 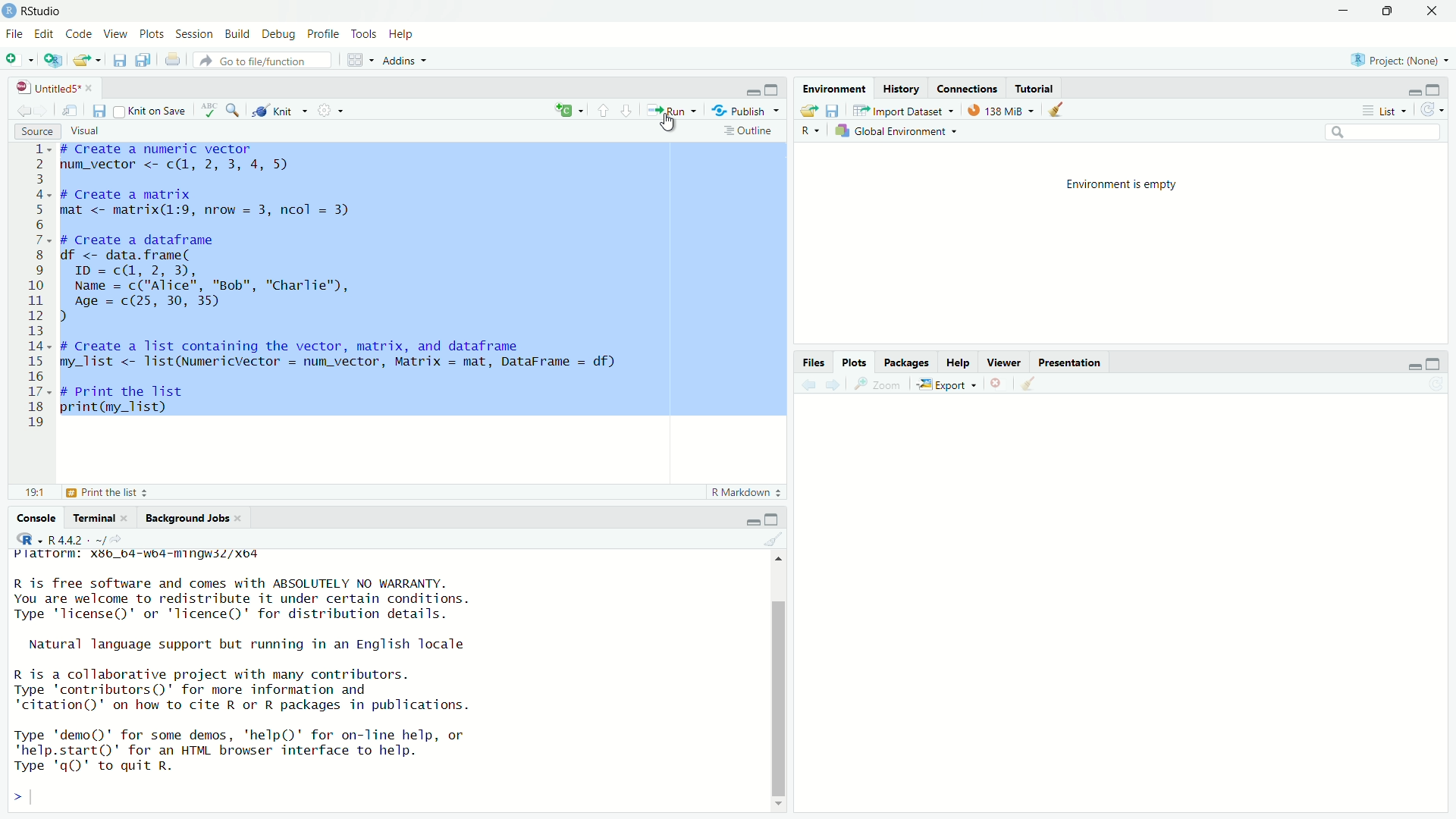 I want to click on Files, so click(x=817, y=362).